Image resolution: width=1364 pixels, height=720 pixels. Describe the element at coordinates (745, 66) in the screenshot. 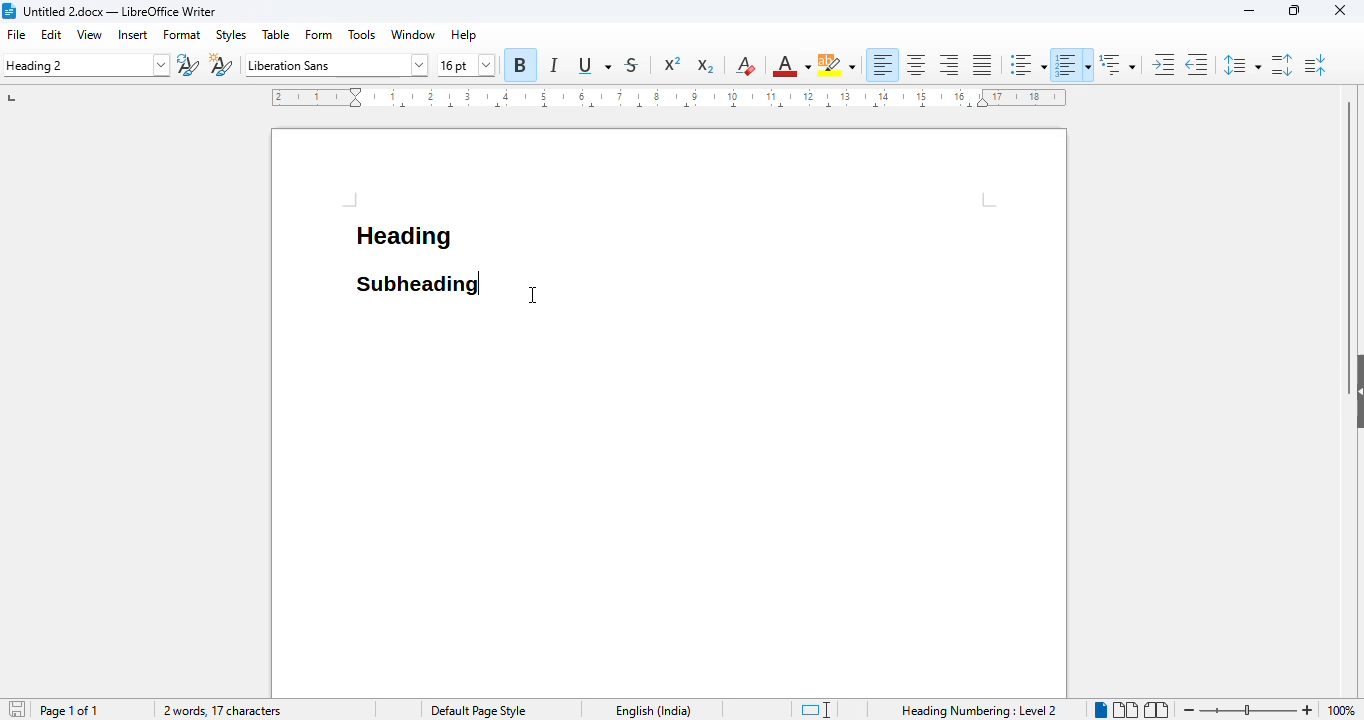

I see `clear direct formatting` at that location.